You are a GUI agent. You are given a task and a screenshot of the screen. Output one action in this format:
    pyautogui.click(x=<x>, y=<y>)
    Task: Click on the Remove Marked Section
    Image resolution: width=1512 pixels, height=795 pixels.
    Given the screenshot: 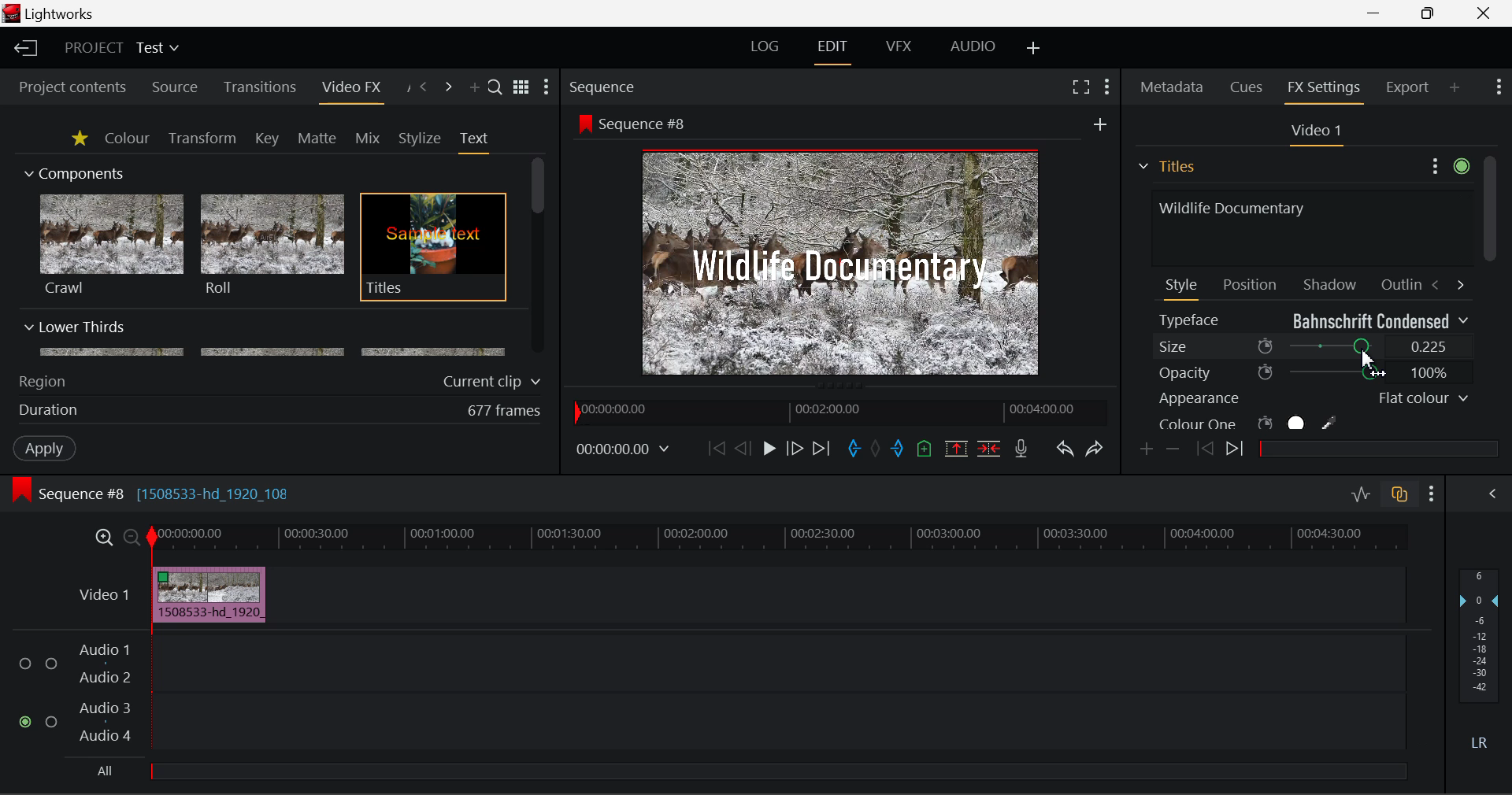 What is the action you would take?
    pyautogui.click(x=956, y=449)
    